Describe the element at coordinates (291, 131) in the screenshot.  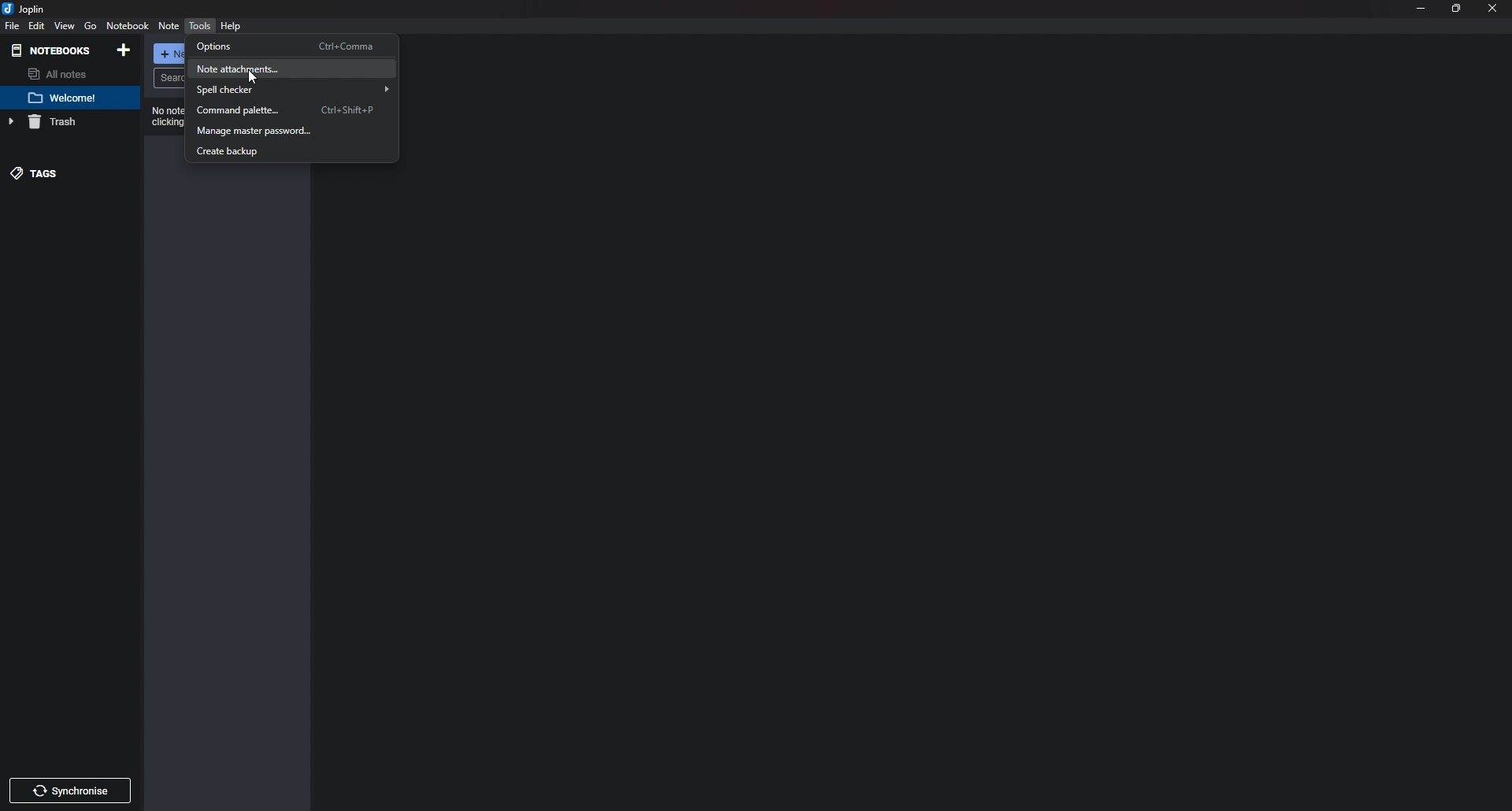
I see `Manage master password` at that location.